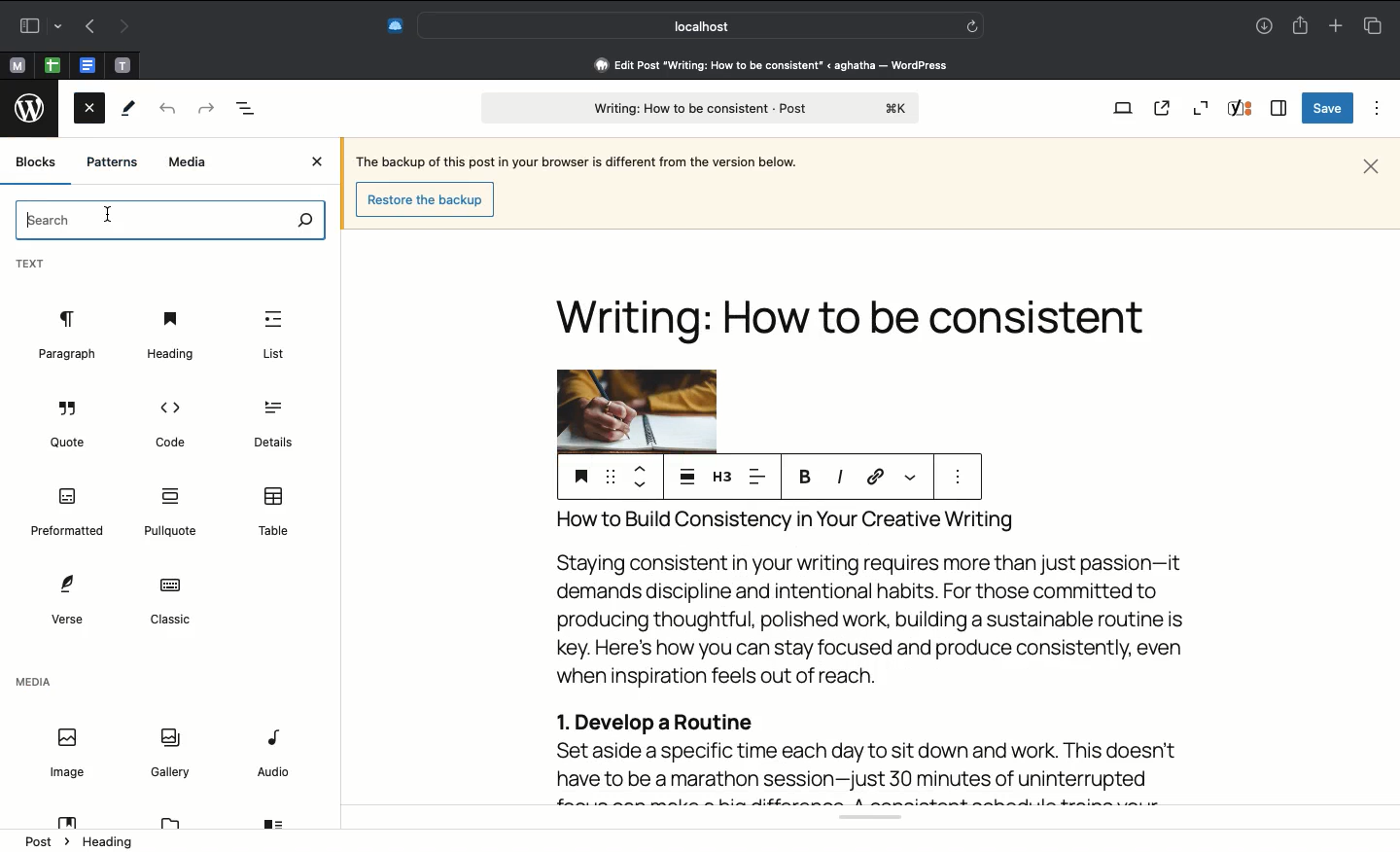 The width and height of the screenshot is (1400, 852). What do you see at coordinates (18, 64) in the screenshot?
I see `Pinned tabs` at bounding box center [18, 64].